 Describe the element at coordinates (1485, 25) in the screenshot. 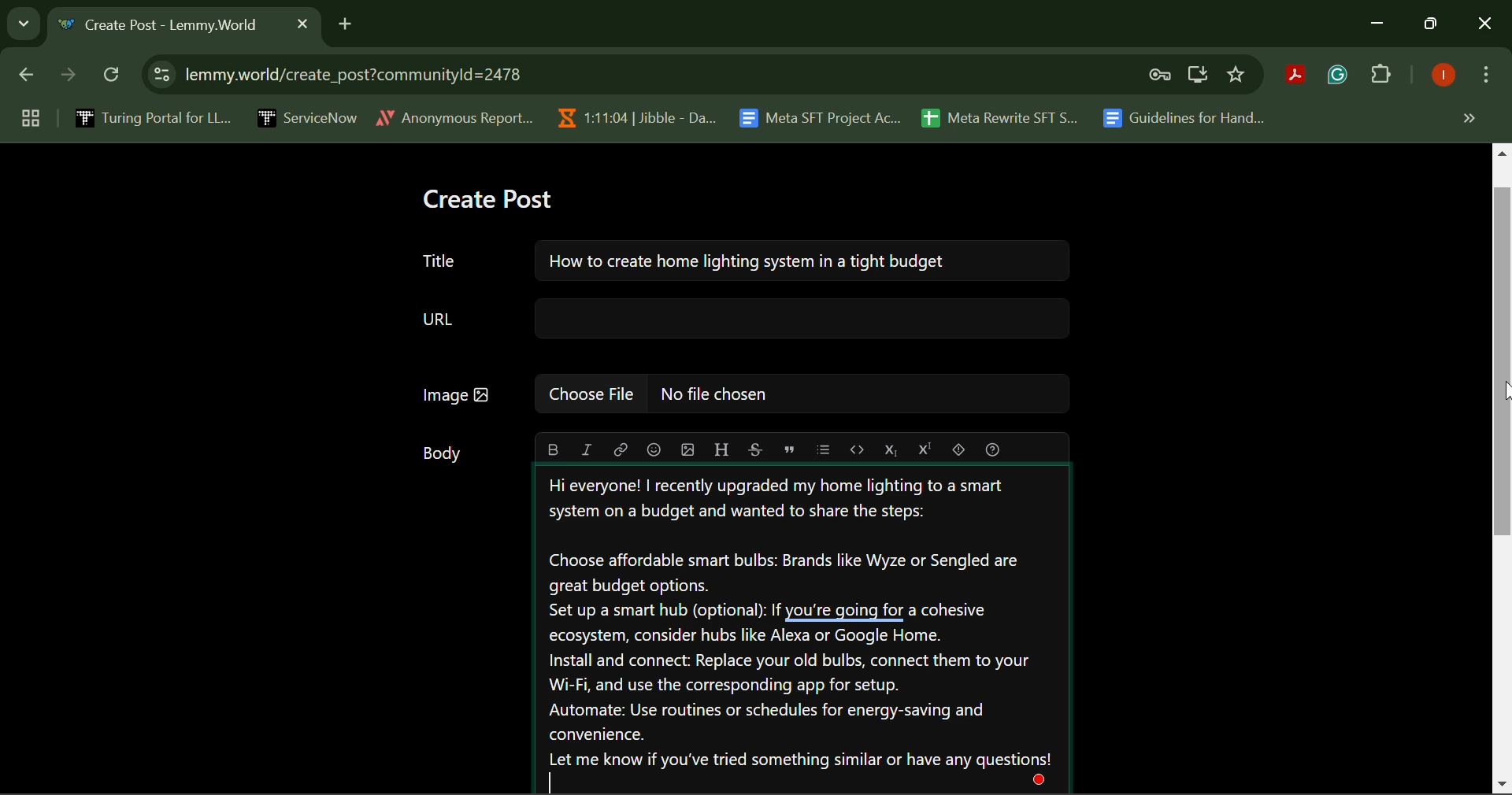

I see `Close Window` at that location.